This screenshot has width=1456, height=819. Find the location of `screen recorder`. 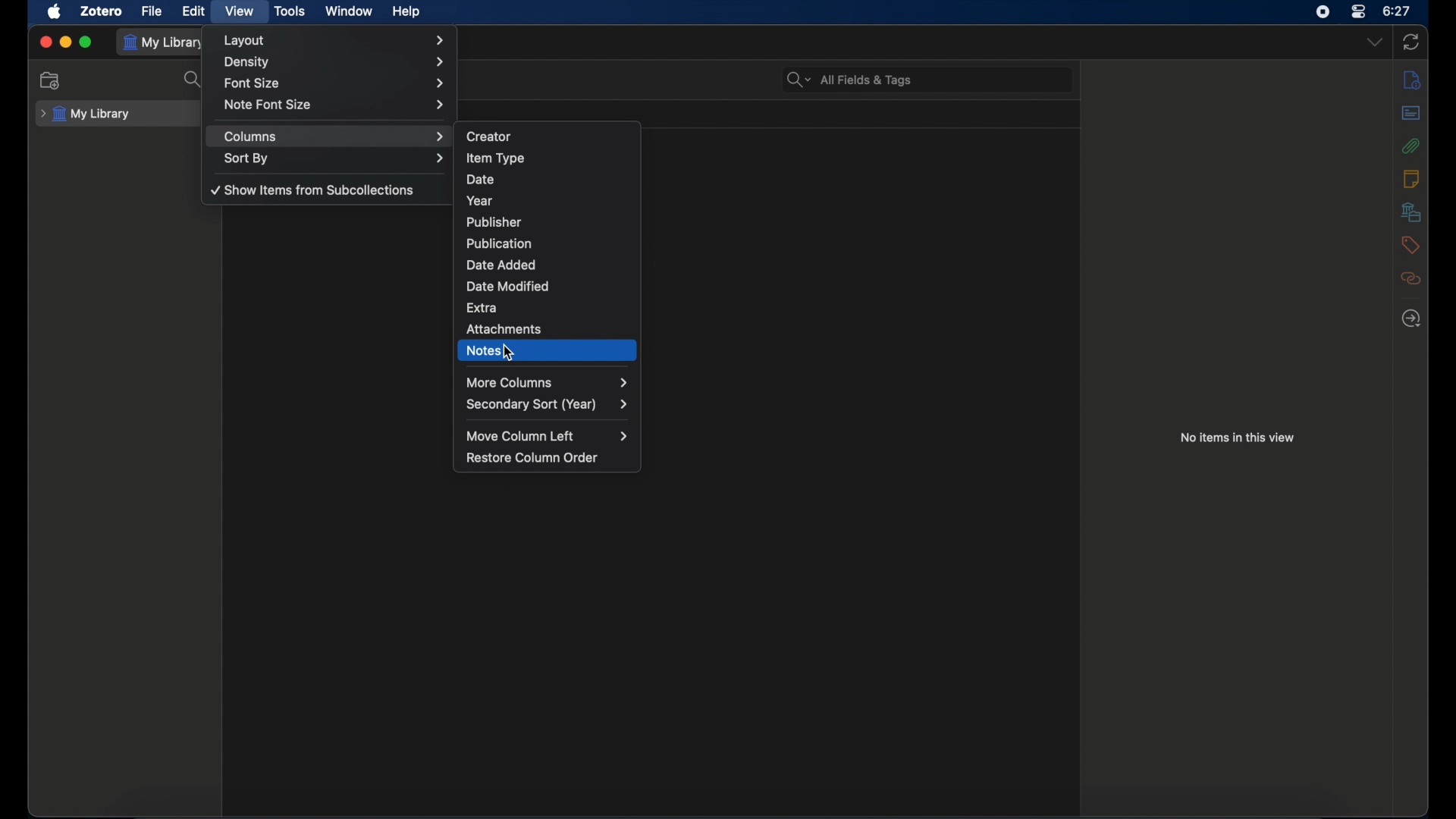

screen recorder is located at coordinates (1323, 11).